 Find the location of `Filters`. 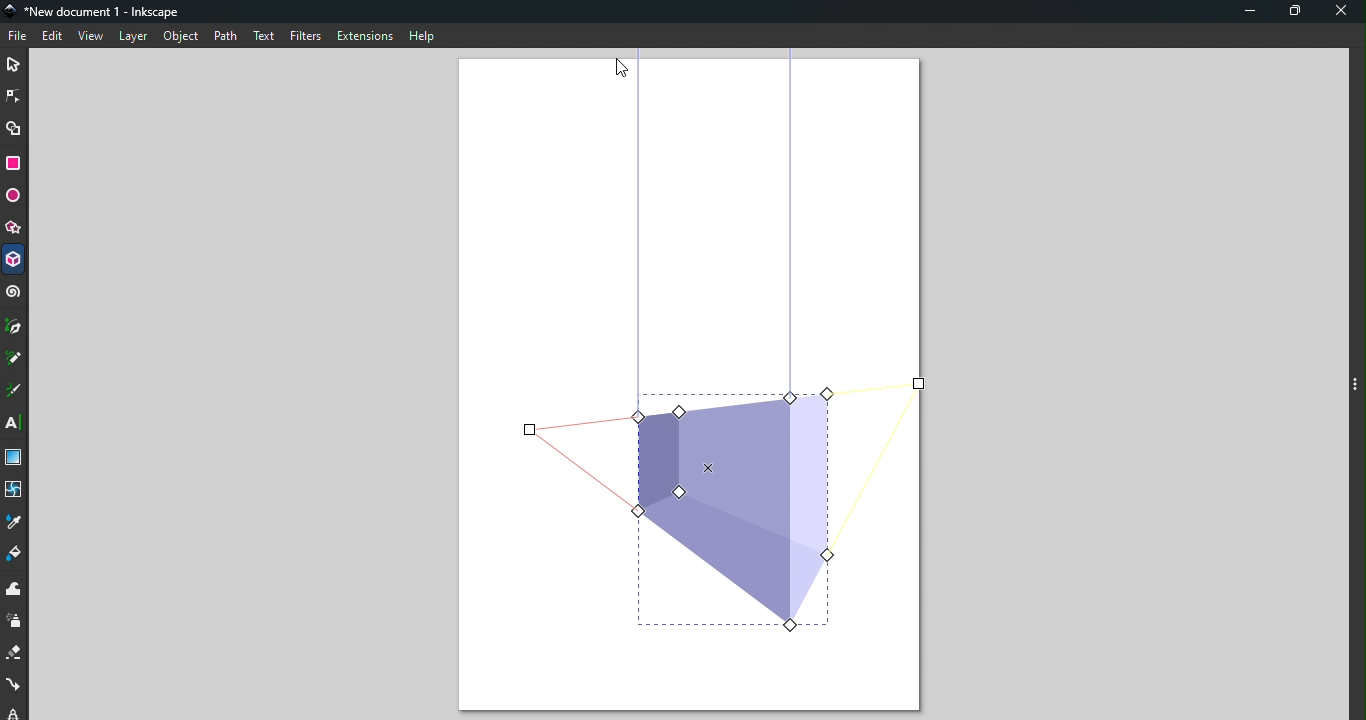

Filters is located at coordinates (307, 35).